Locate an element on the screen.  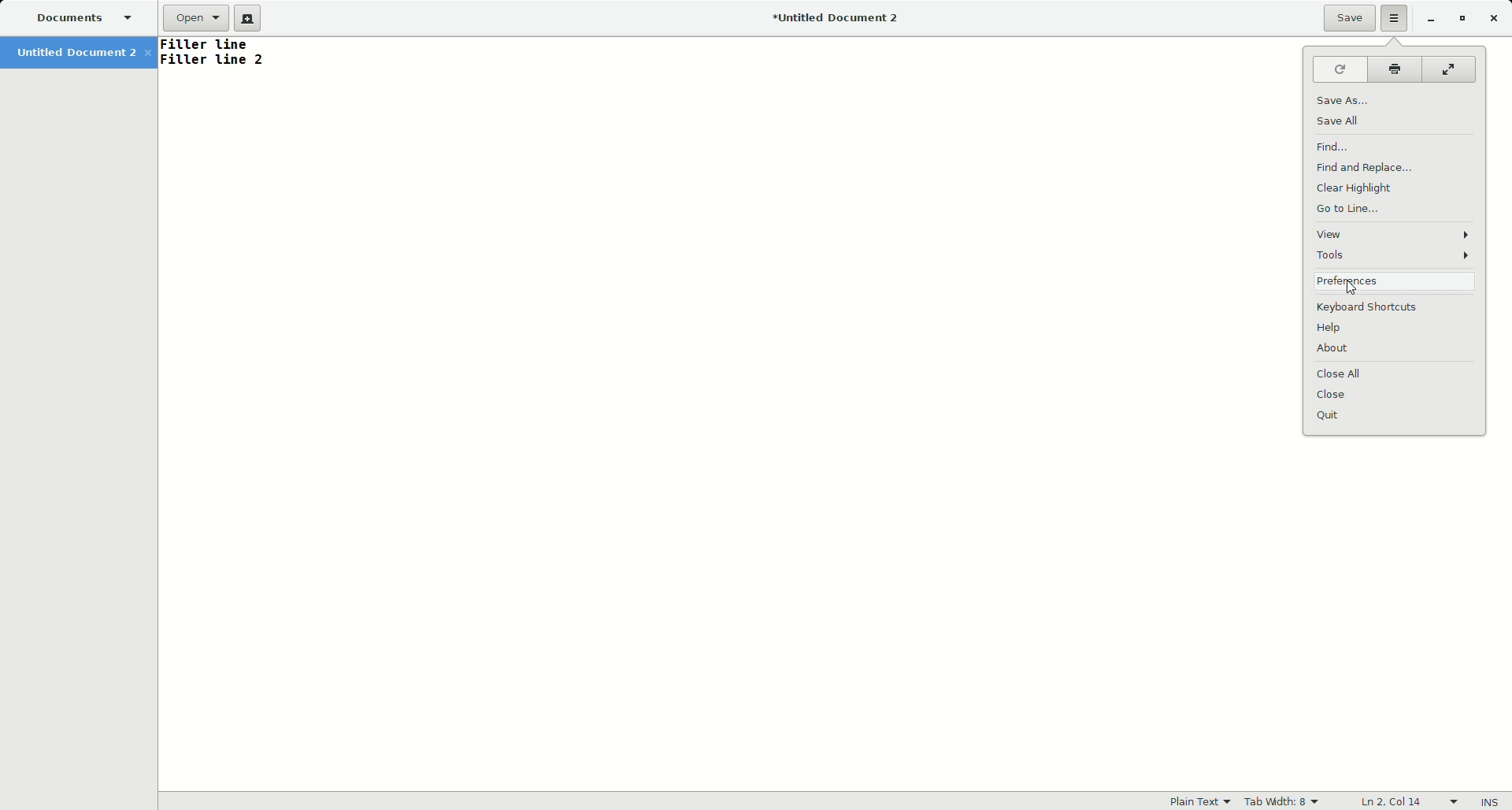
About is located at coordinates (1398, 352).